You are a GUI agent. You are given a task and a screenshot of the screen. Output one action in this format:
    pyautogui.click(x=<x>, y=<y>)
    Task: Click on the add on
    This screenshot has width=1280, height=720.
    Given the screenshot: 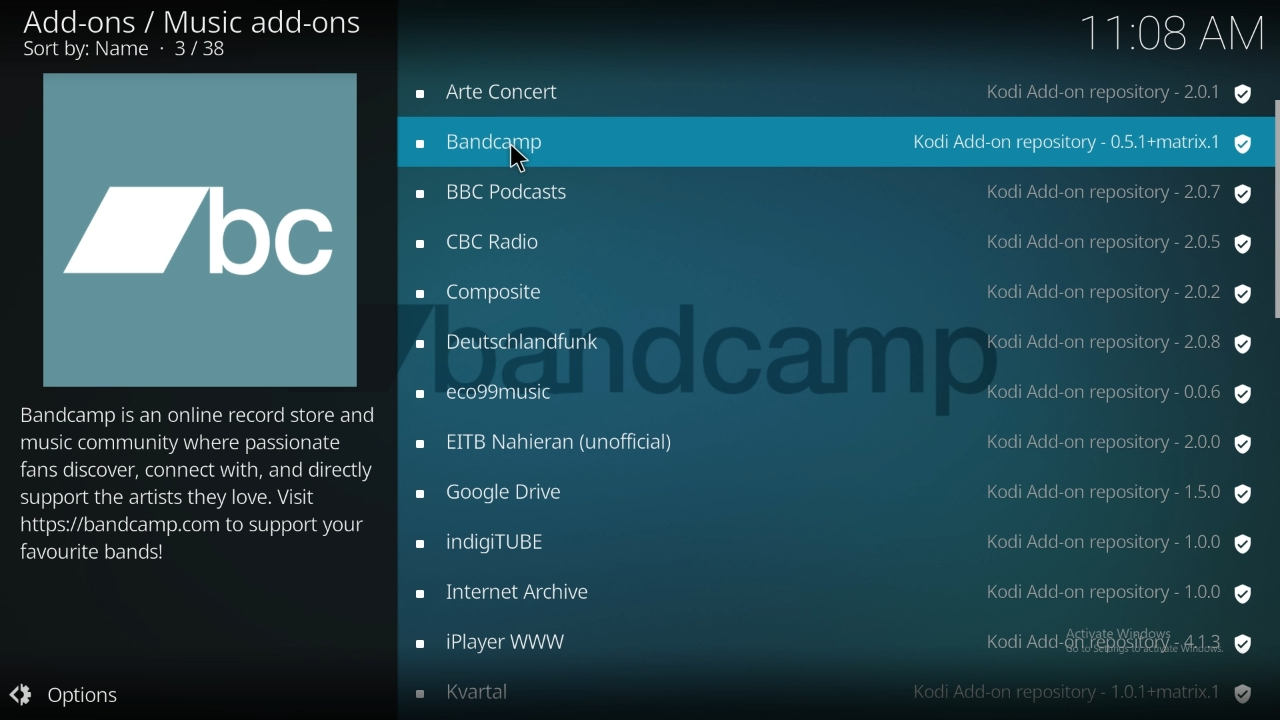 What is the action you would take?
    pyautogui.click(x=834, y=141)
    